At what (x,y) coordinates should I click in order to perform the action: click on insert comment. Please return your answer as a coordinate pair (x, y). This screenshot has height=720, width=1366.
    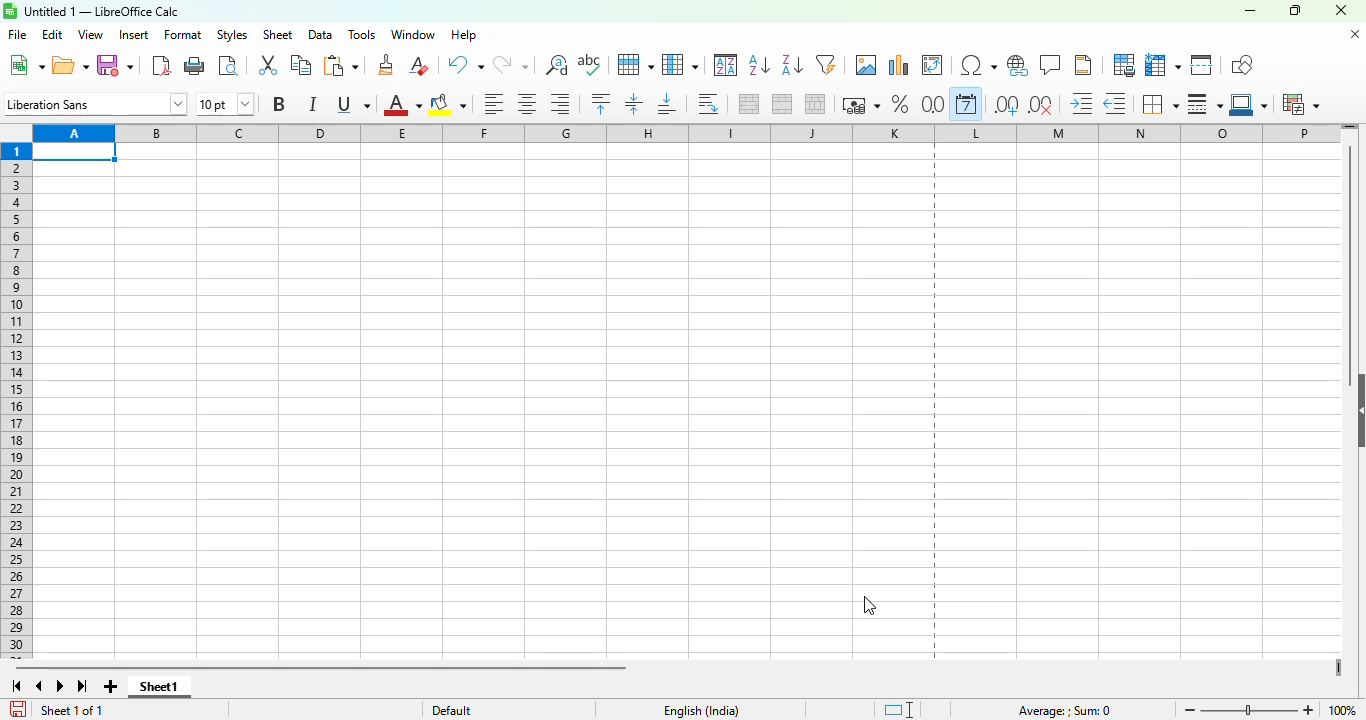
    Looking at the image, I should click on (1052, 64).